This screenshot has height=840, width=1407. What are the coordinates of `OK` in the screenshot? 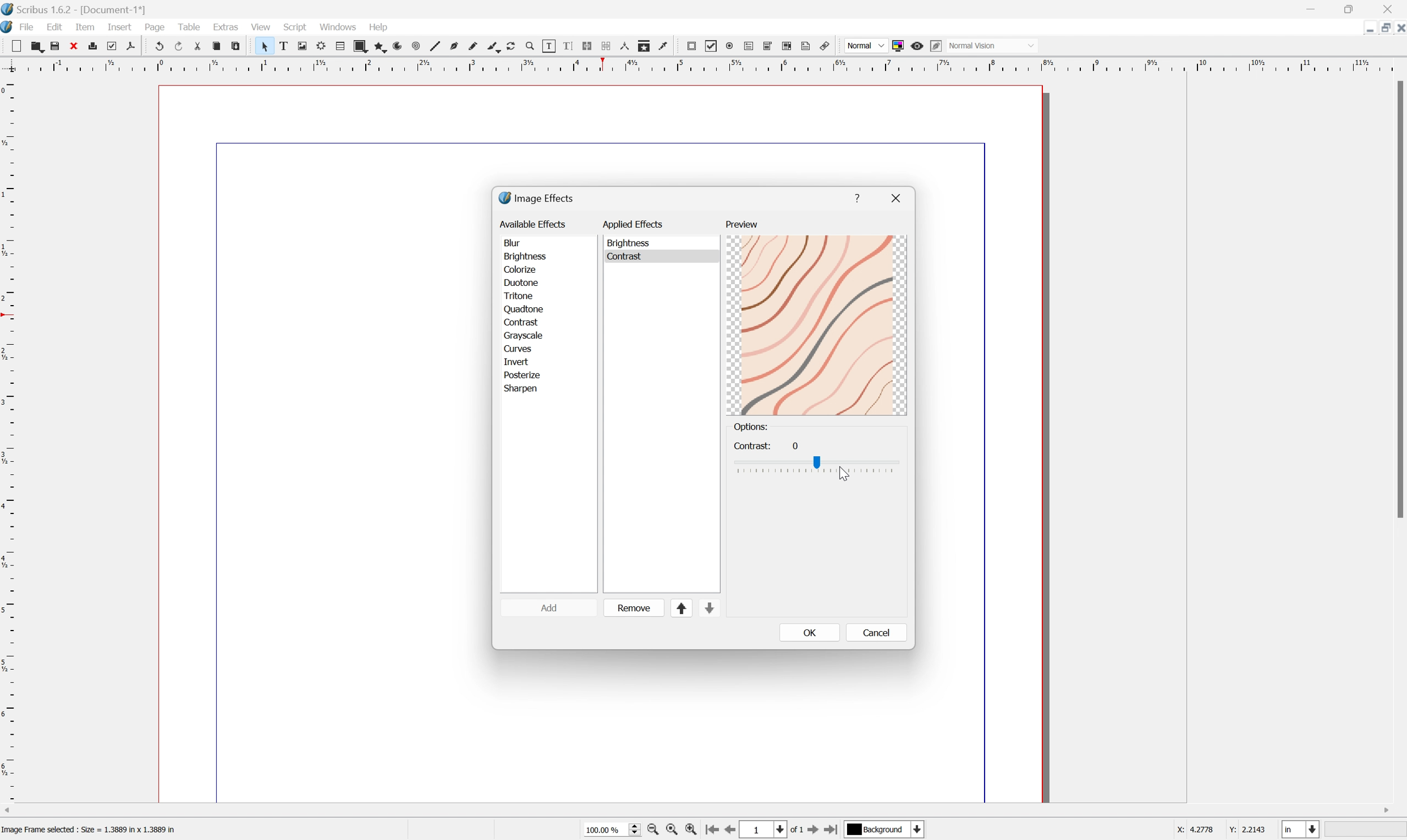 It's located at (809, 632).